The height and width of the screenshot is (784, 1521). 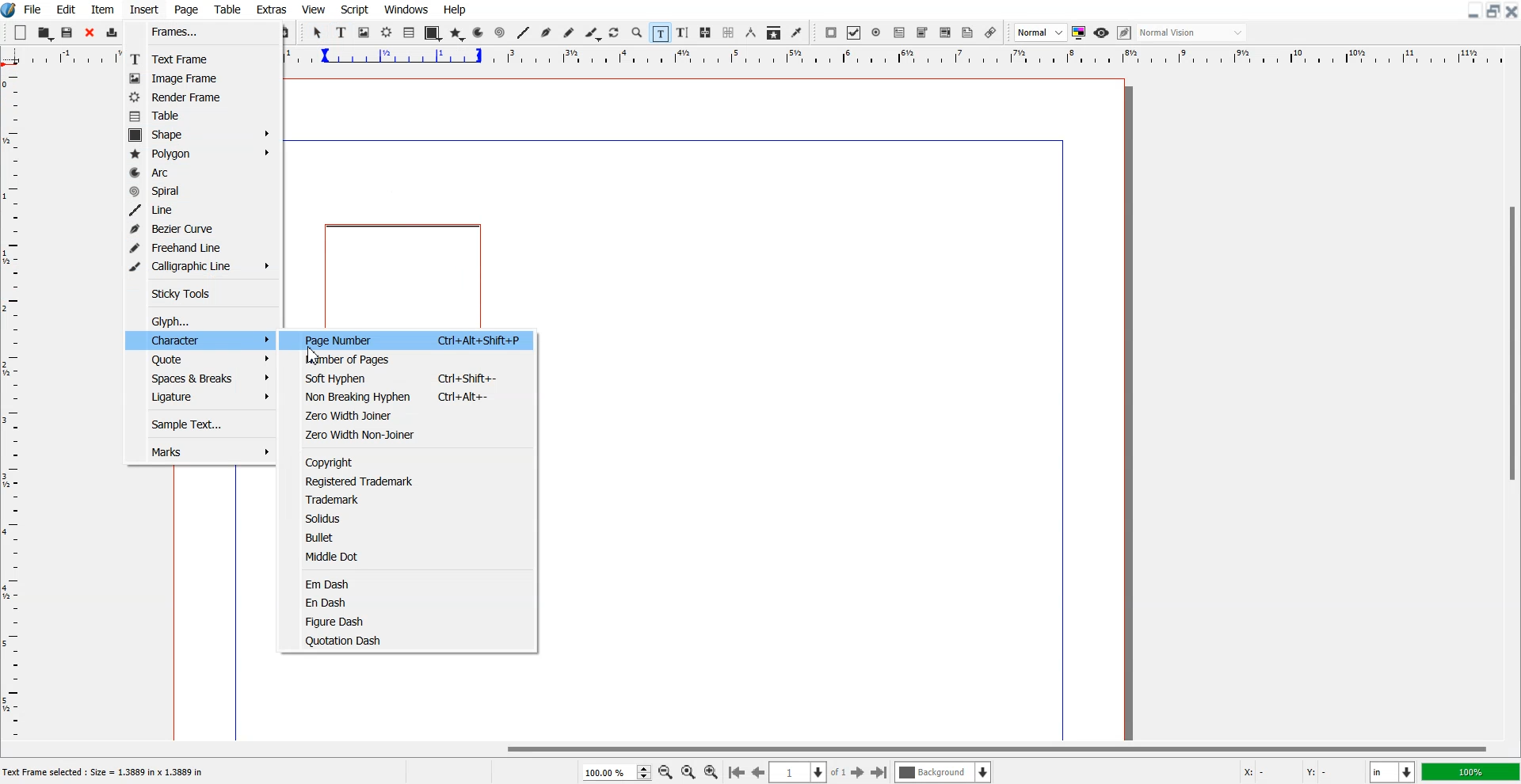 What do you see at coordinates (90, 33) in the screenshot?
I see `Close` at bounding box center [90, 33].